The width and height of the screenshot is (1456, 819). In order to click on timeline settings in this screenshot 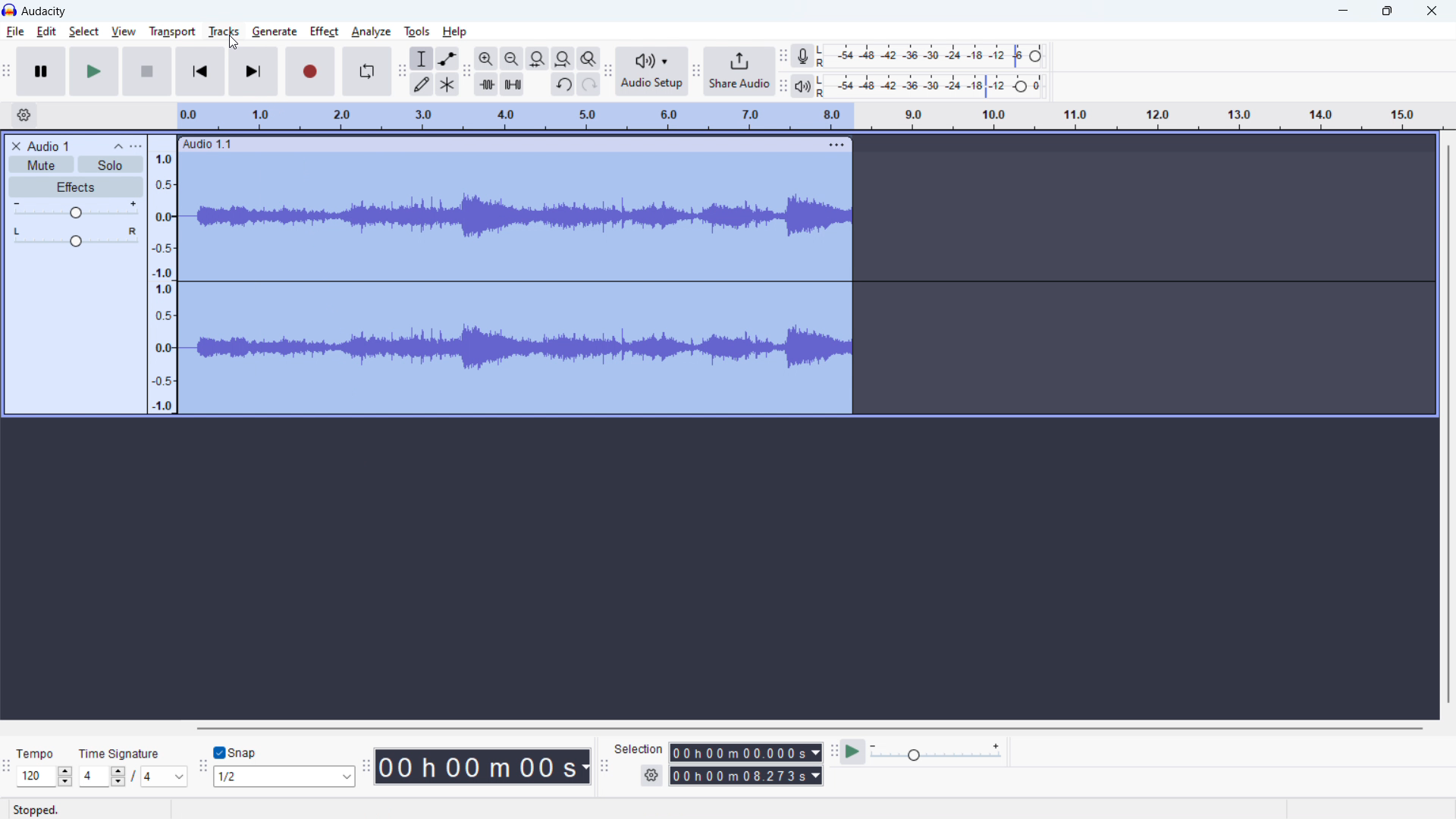, I will do `click(23, 115)`.